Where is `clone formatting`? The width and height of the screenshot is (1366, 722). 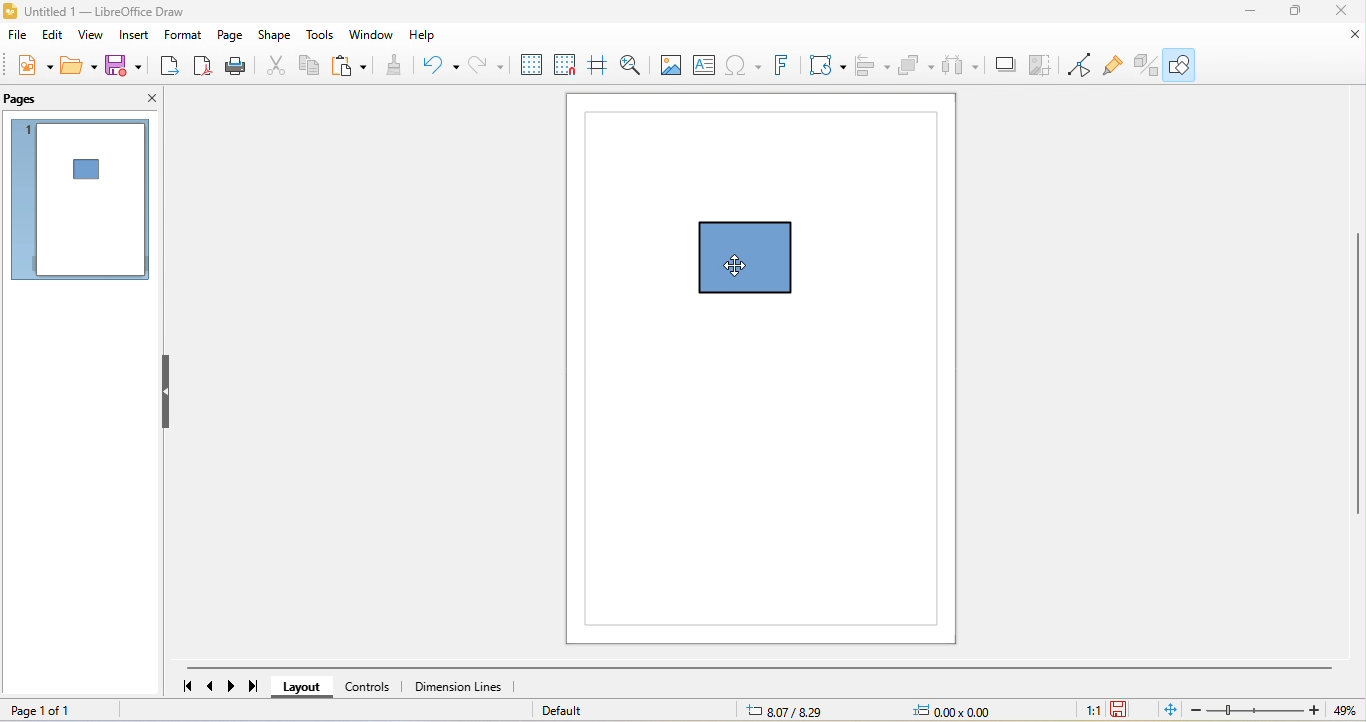
clone formatting is located at coordinates (396, 67).